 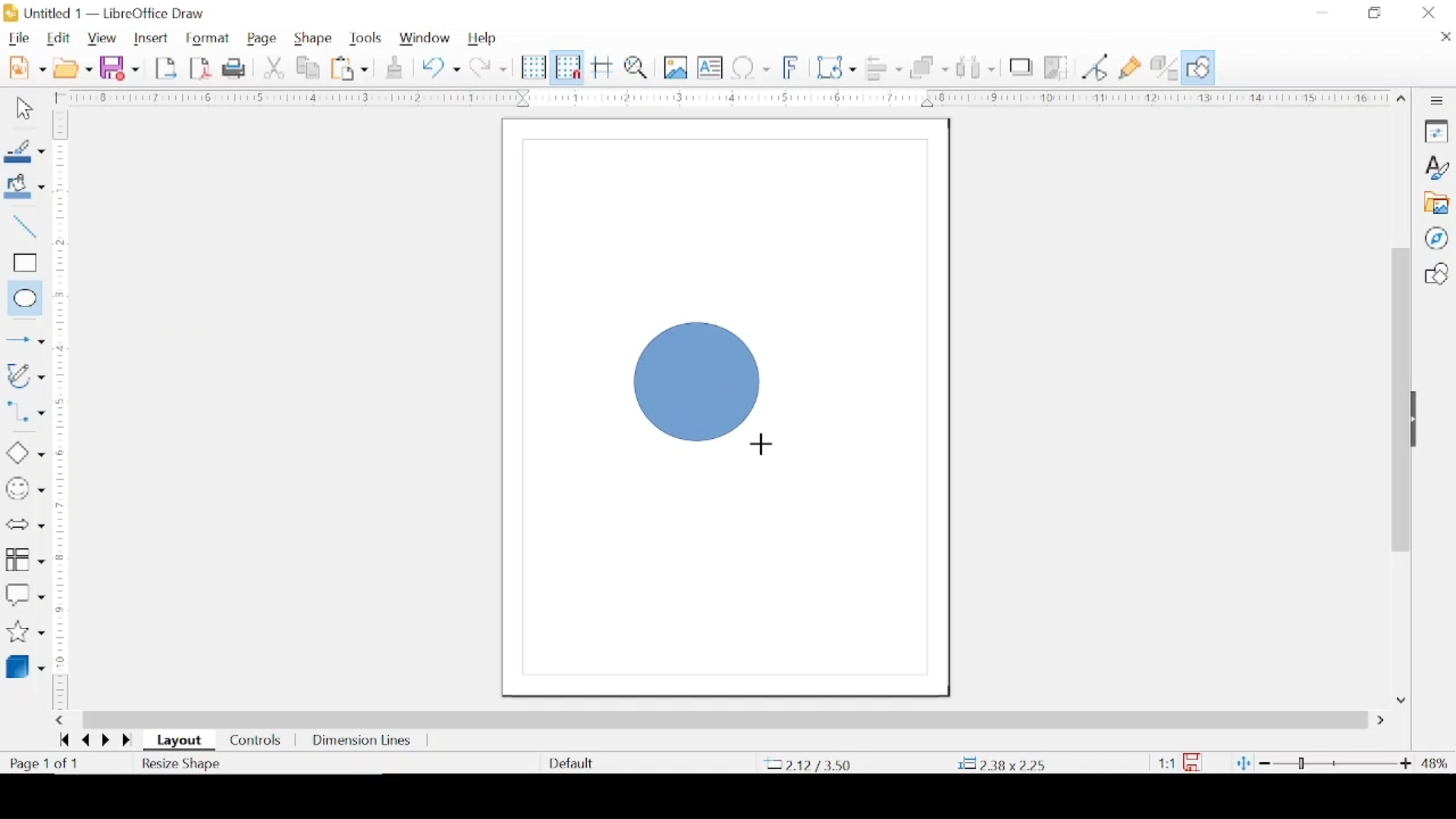 What do you see at coordinates (676, 68) in the screenshot?
I see `insert image` at bounding box center [676, 68].